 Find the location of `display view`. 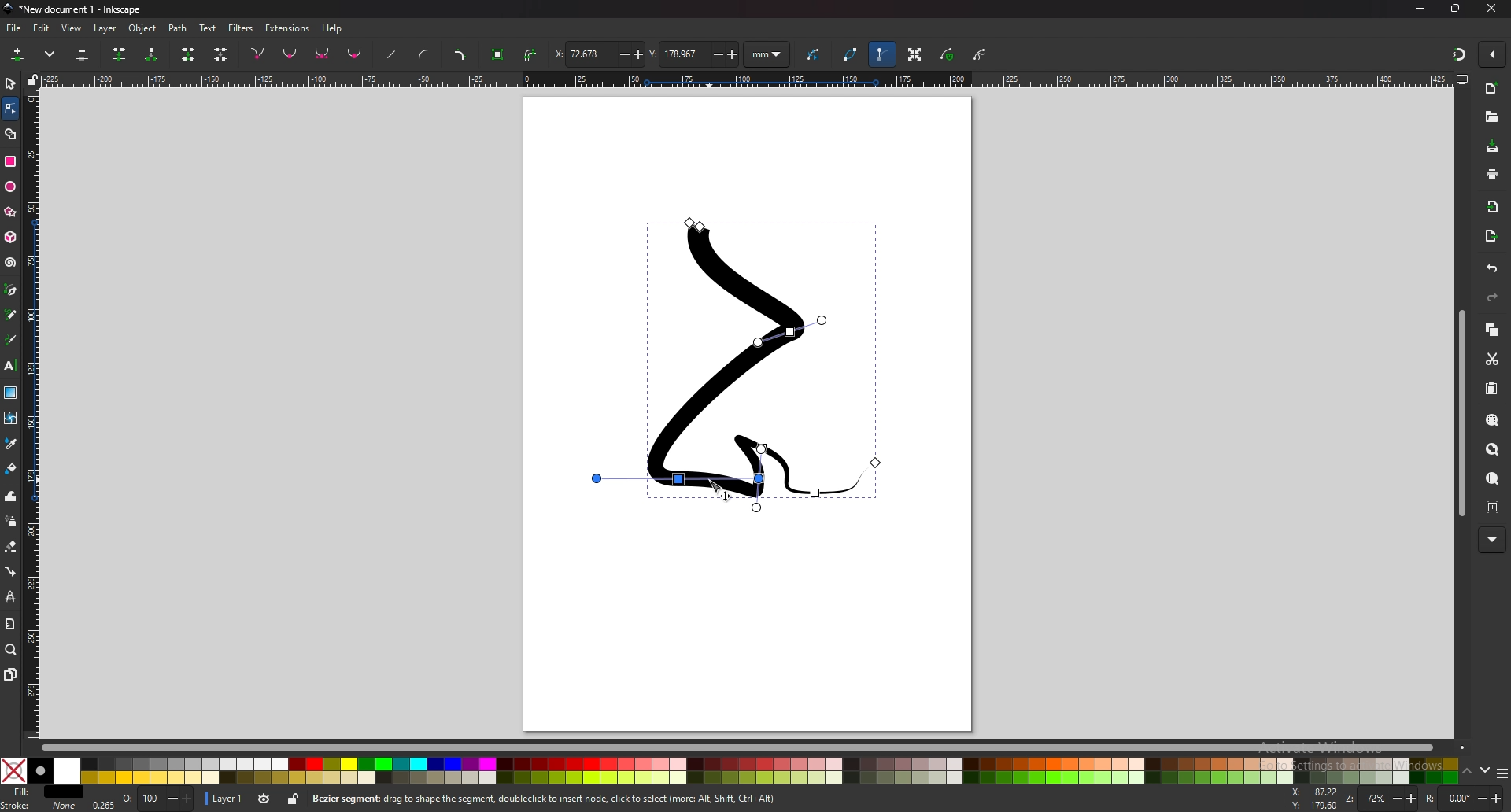

display view is located at coordinates (1463, 79).